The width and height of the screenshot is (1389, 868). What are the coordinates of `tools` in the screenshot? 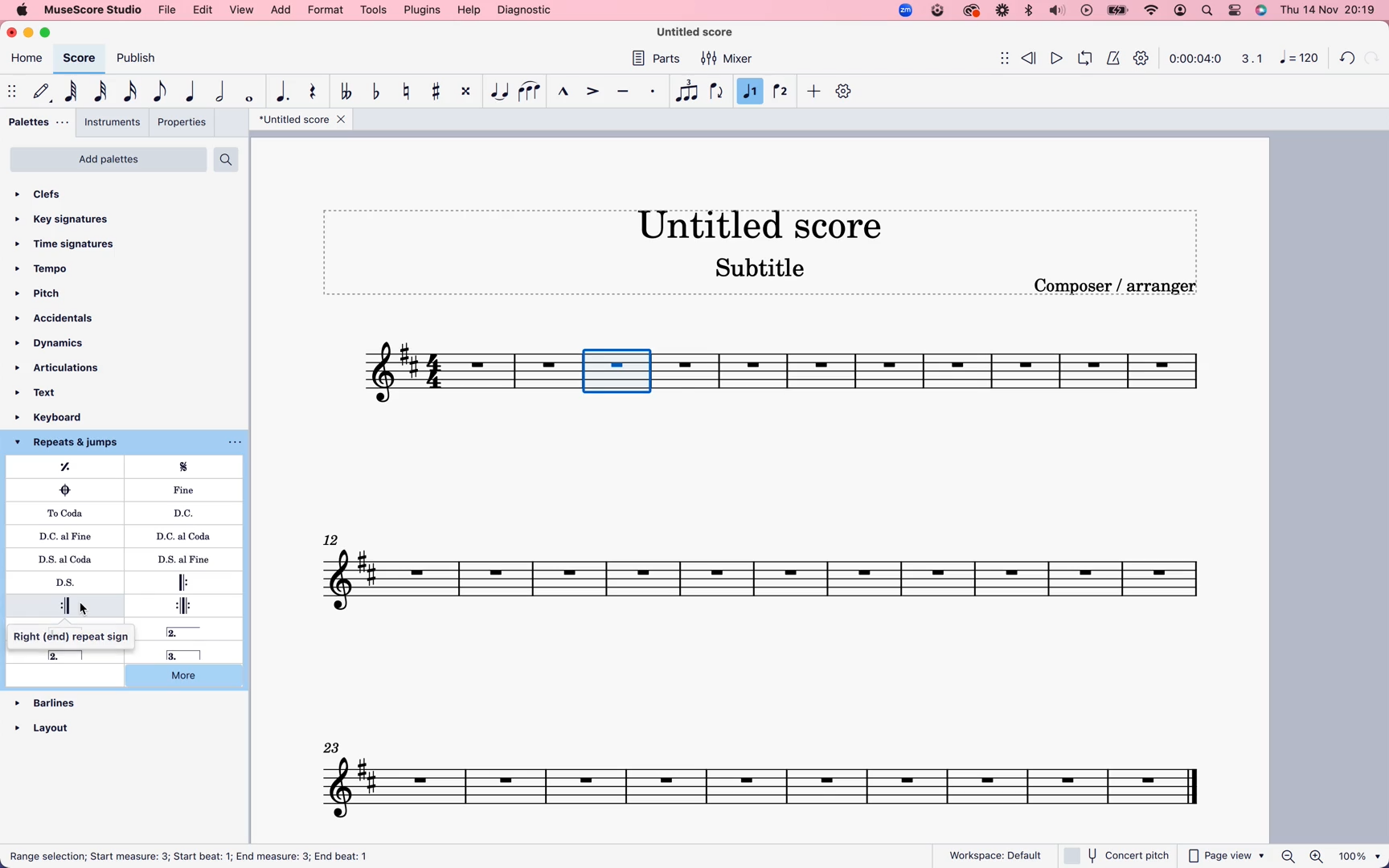 It's located at (374, 10).